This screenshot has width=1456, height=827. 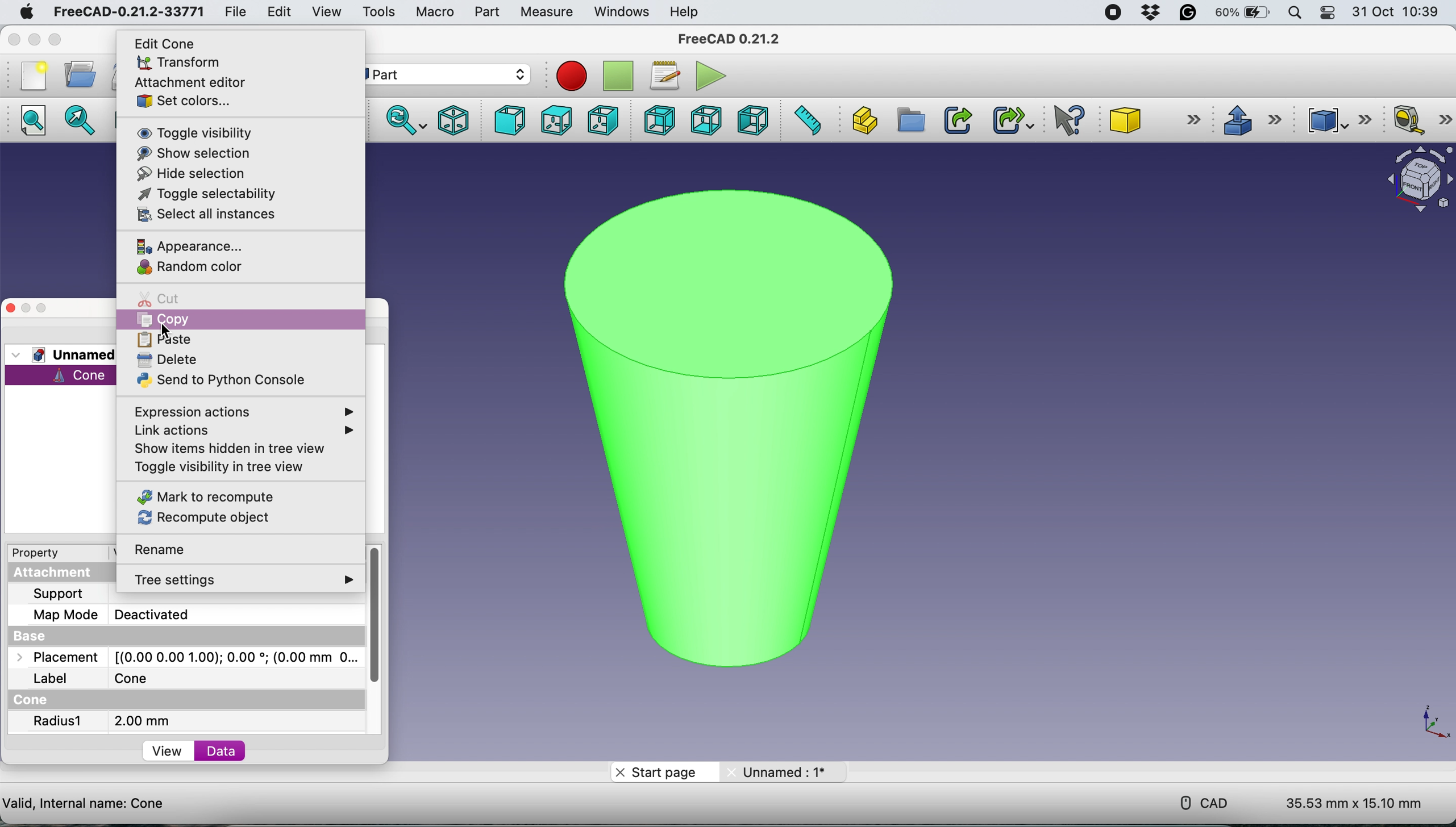 I want to click on left, so click(x=755, y=120).